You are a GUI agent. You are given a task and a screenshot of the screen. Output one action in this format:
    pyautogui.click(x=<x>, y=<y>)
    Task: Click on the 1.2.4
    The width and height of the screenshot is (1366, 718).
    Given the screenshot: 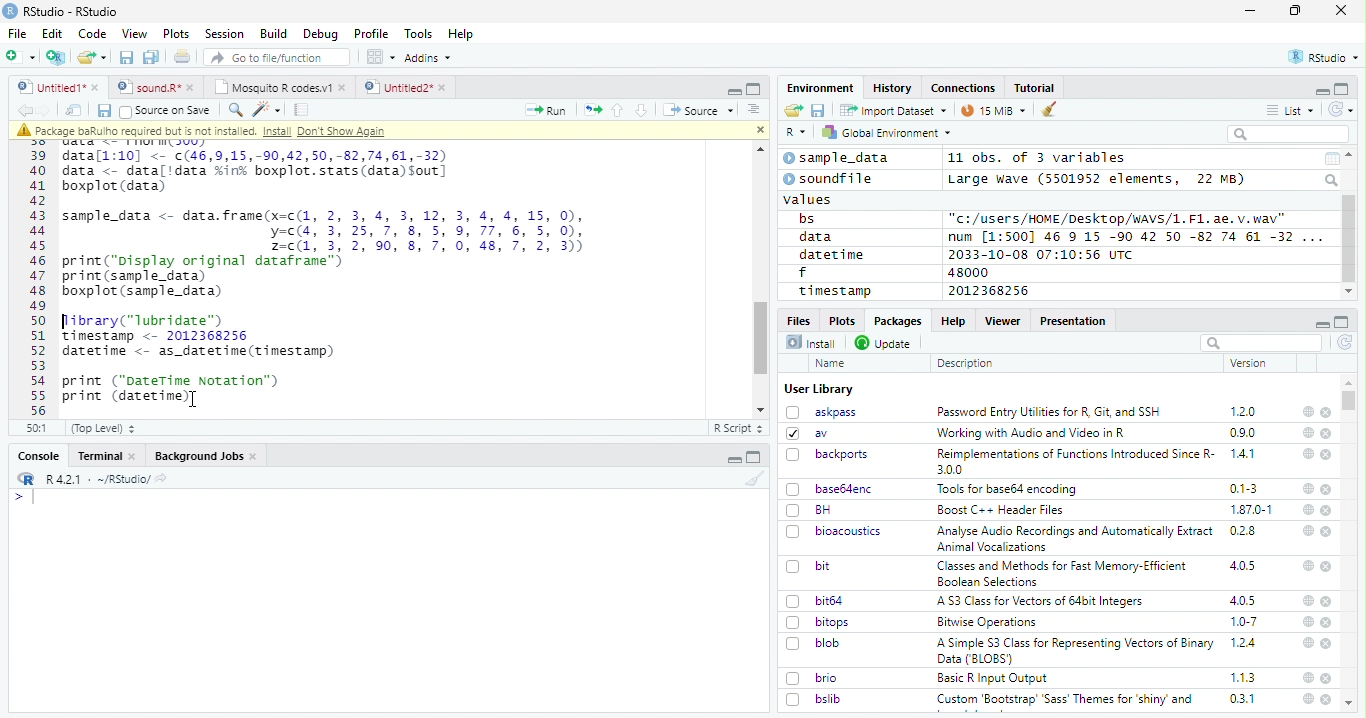 What is the action you would take?
    pyautogui.click(x=1245, y=642)
    